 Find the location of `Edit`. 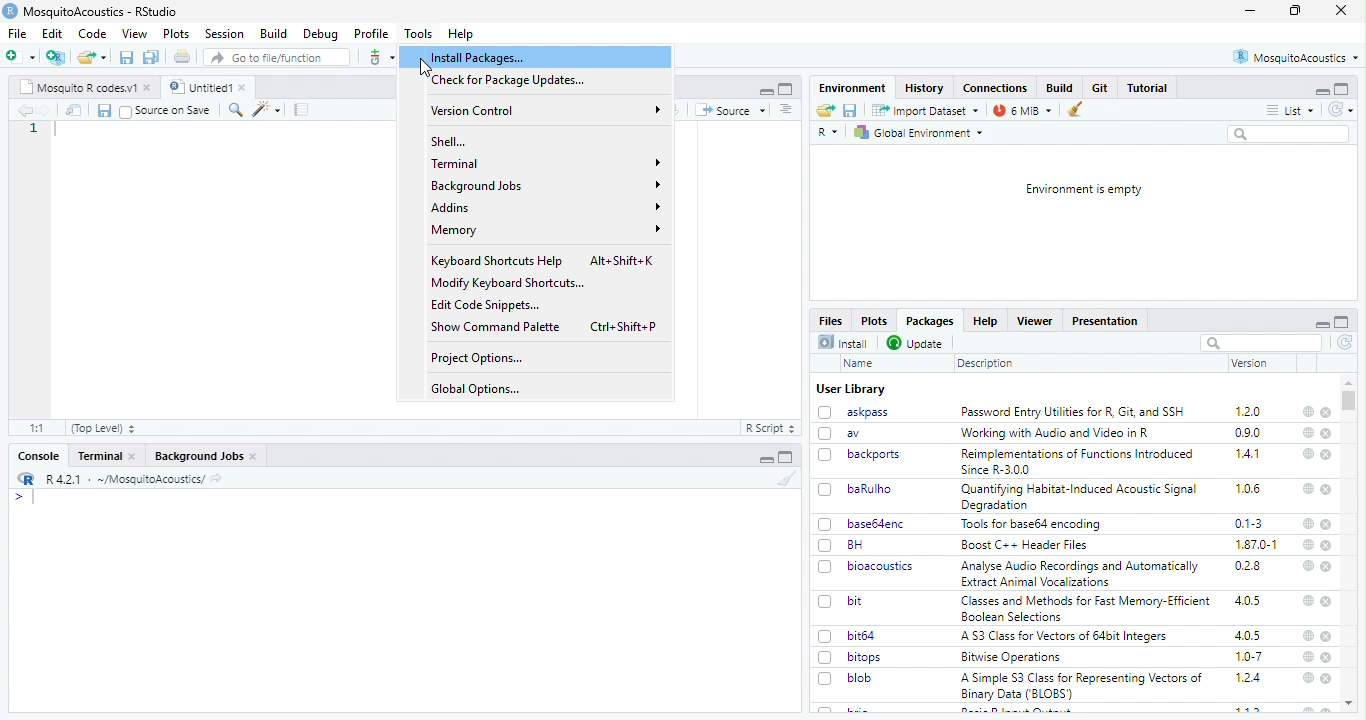

Edit is located at coordinates (54, 33).